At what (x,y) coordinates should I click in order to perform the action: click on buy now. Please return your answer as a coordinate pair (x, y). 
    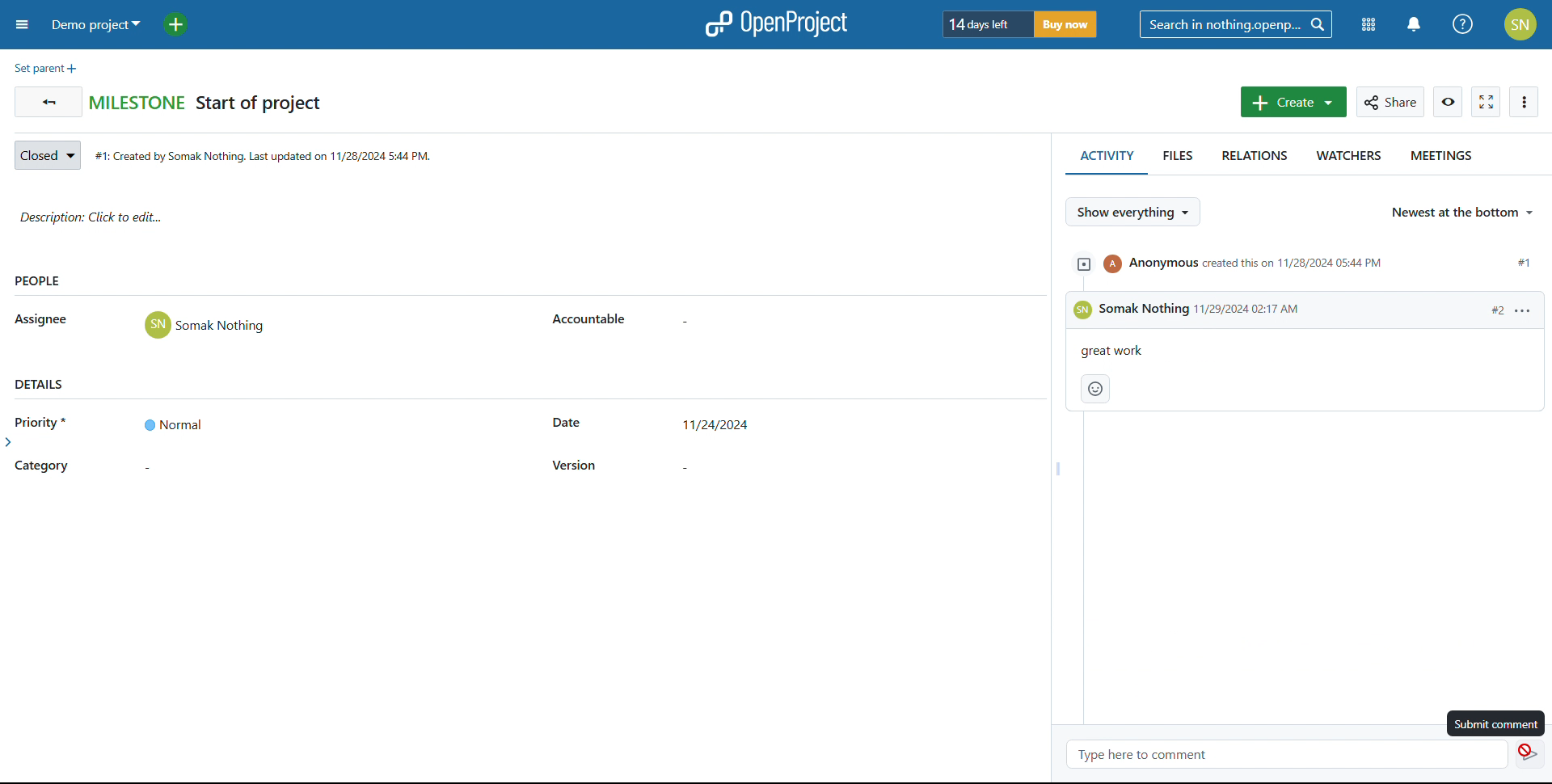
    Looking at the image, I should click on (1068, 23).